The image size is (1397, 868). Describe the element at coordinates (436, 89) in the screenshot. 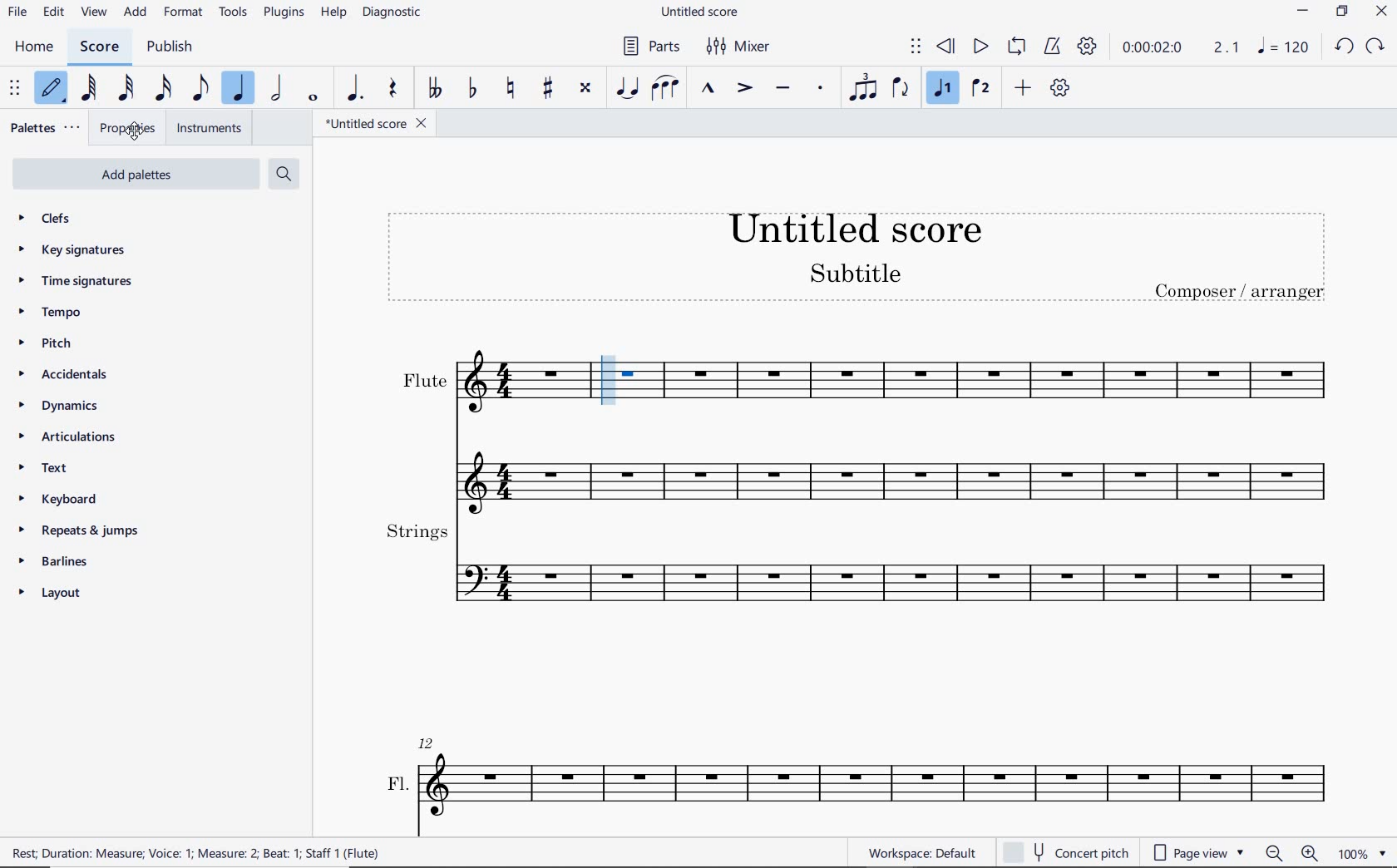

I see `TOGGLE DOUBLE-FLAT` at that location.